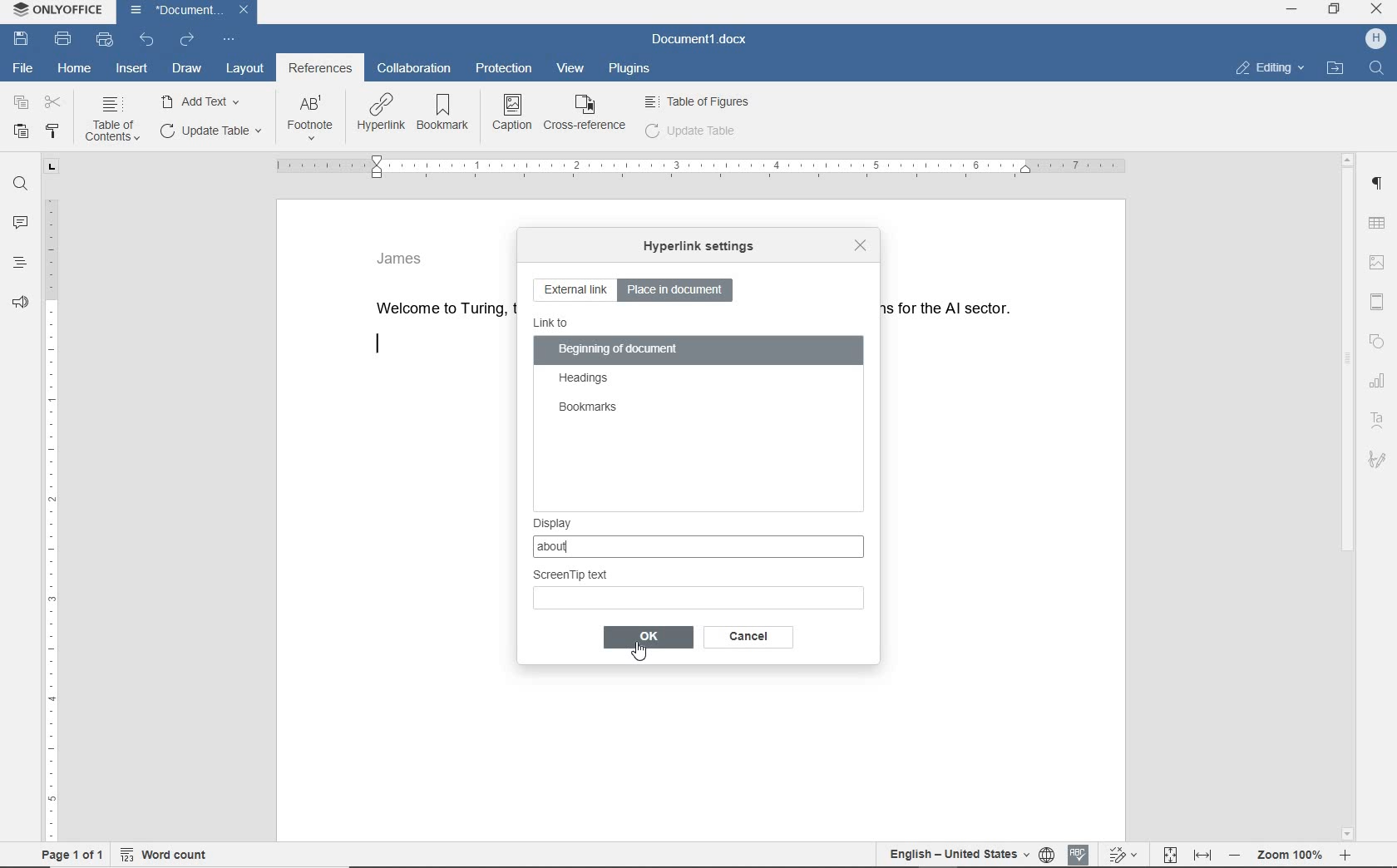 The width and height of the screenshot is (1397, 868). What do you see at coordinates (585, 379) in the screenshot?
I see `headings` at bounding box center [585, 379].